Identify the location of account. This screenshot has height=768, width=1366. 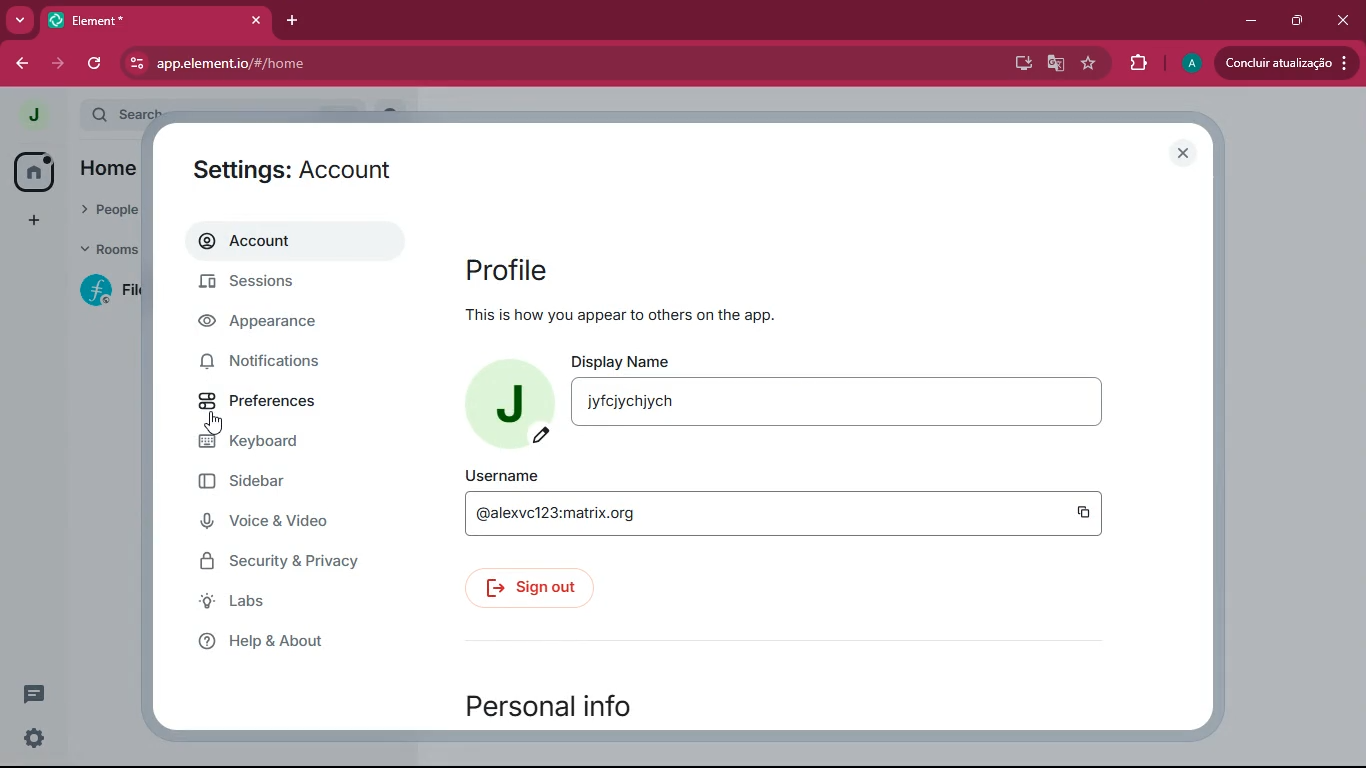
(285, 241).